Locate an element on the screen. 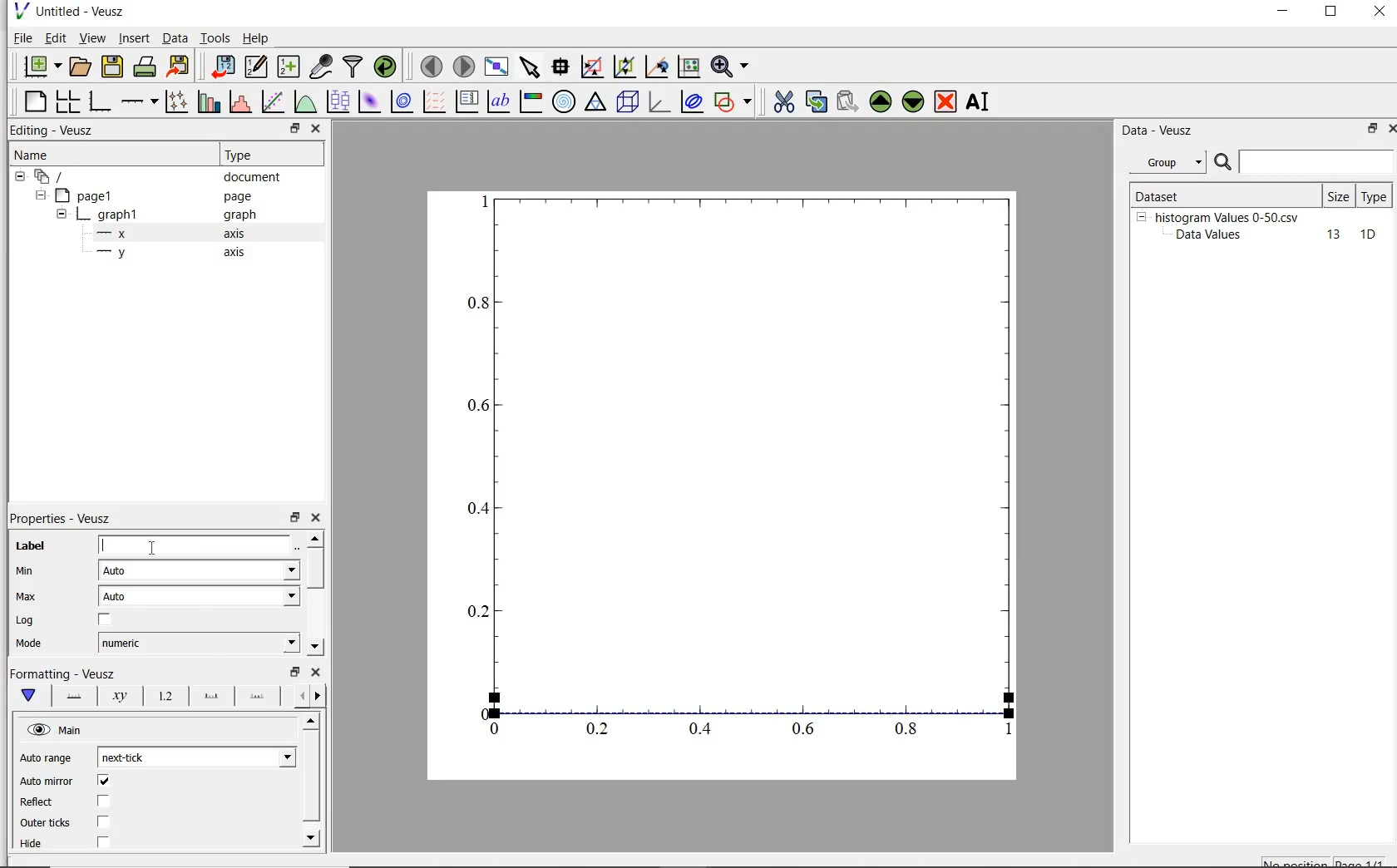  search is located at coordinates (1224, 163).